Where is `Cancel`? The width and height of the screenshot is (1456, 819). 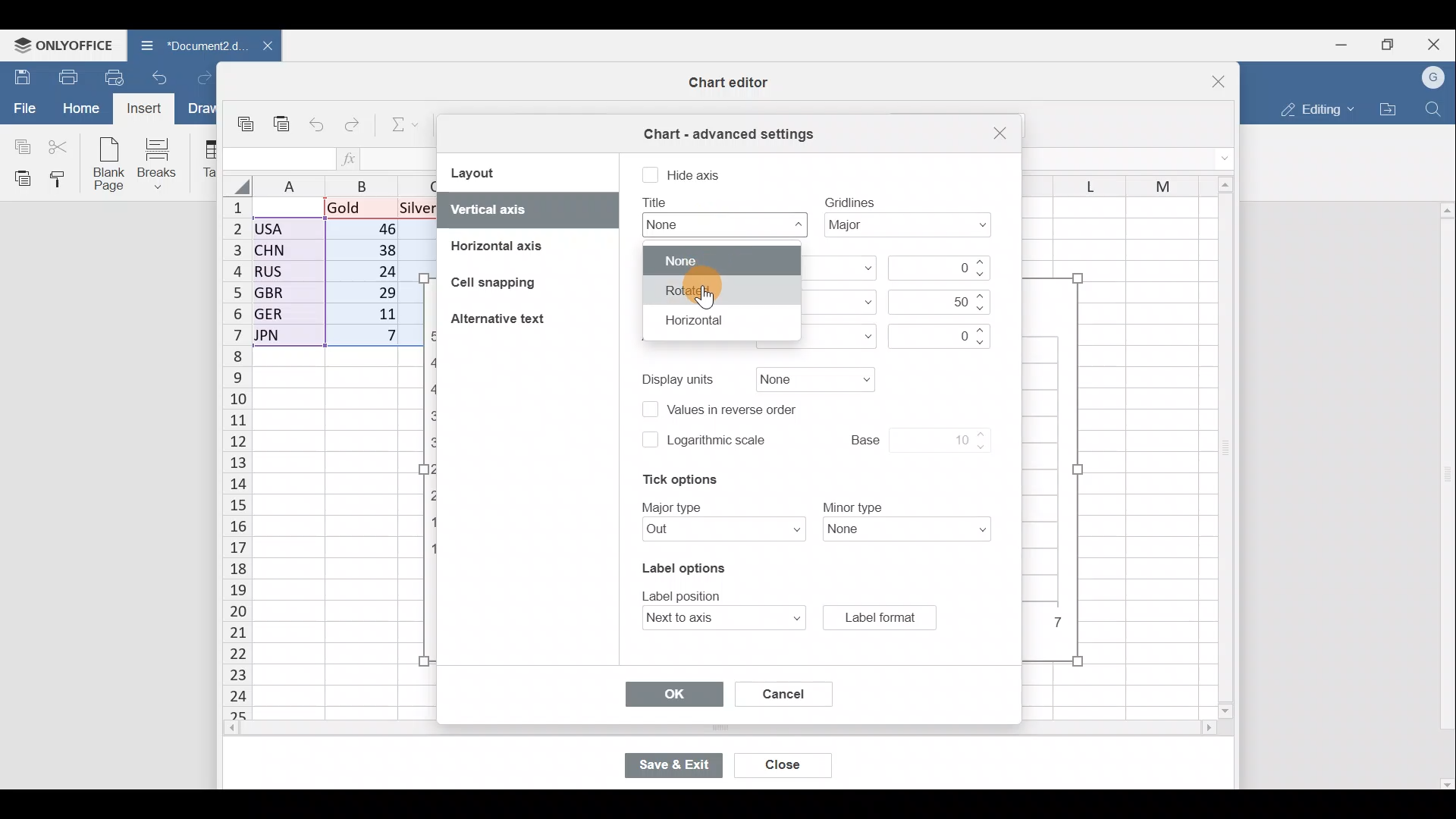 Cancel is located at coordinates (777, 691).